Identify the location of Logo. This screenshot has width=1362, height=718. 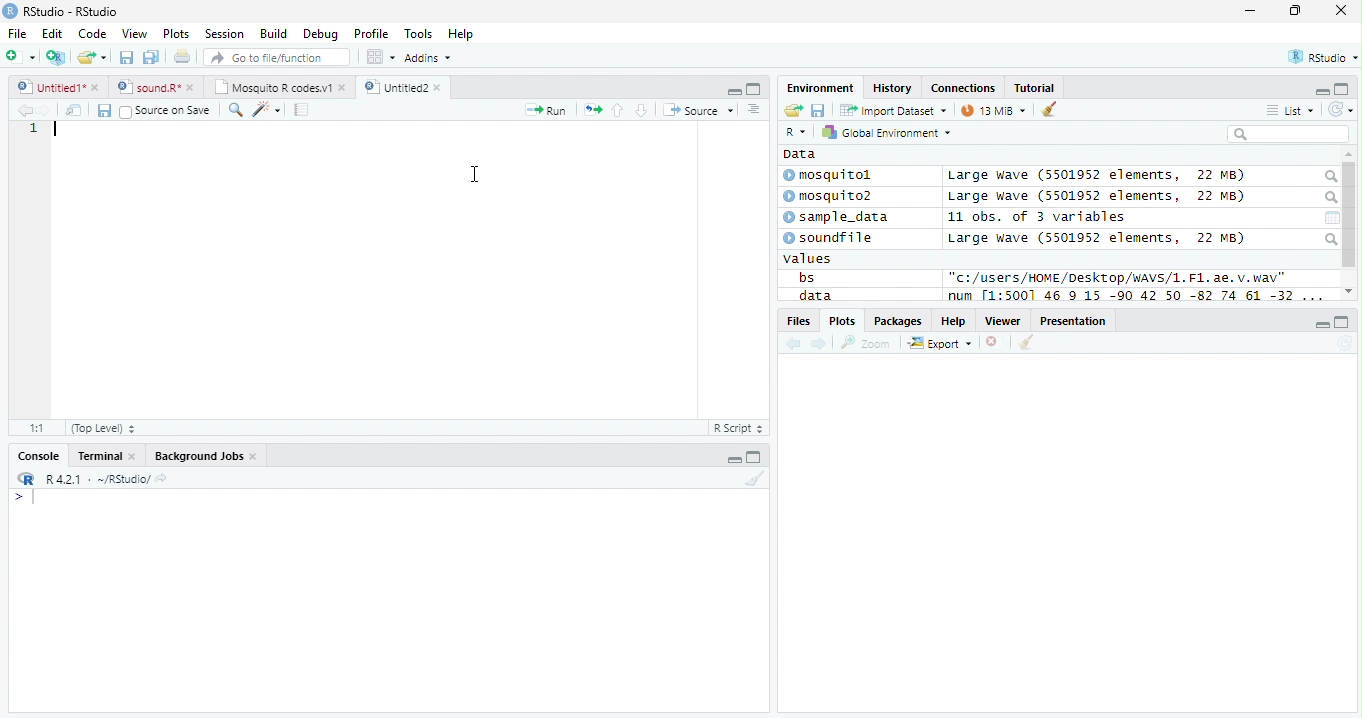
(11, 11).